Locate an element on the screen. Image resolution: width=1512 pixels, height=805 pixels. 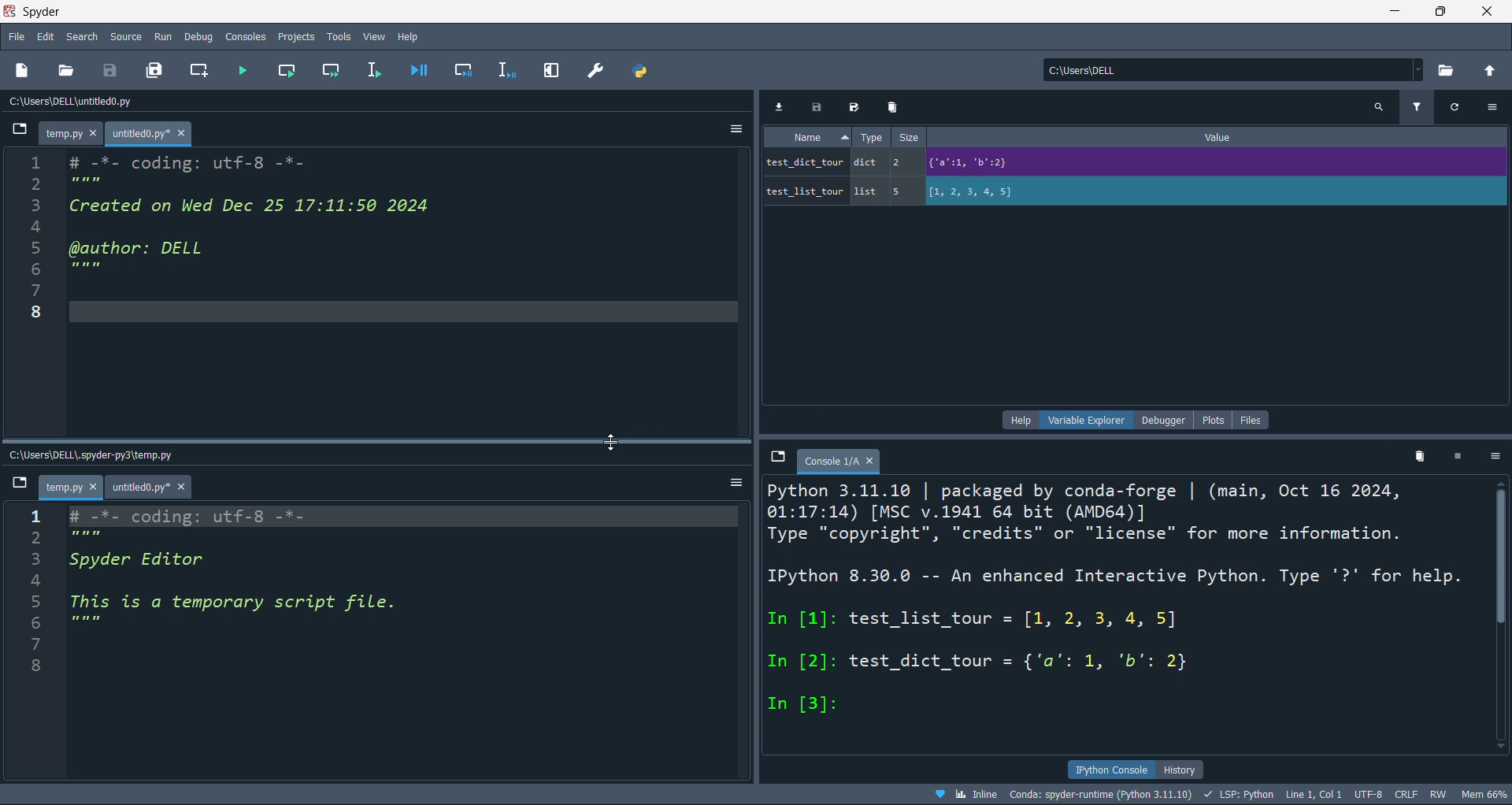
ipython console is located at coordinates (1107, 768).